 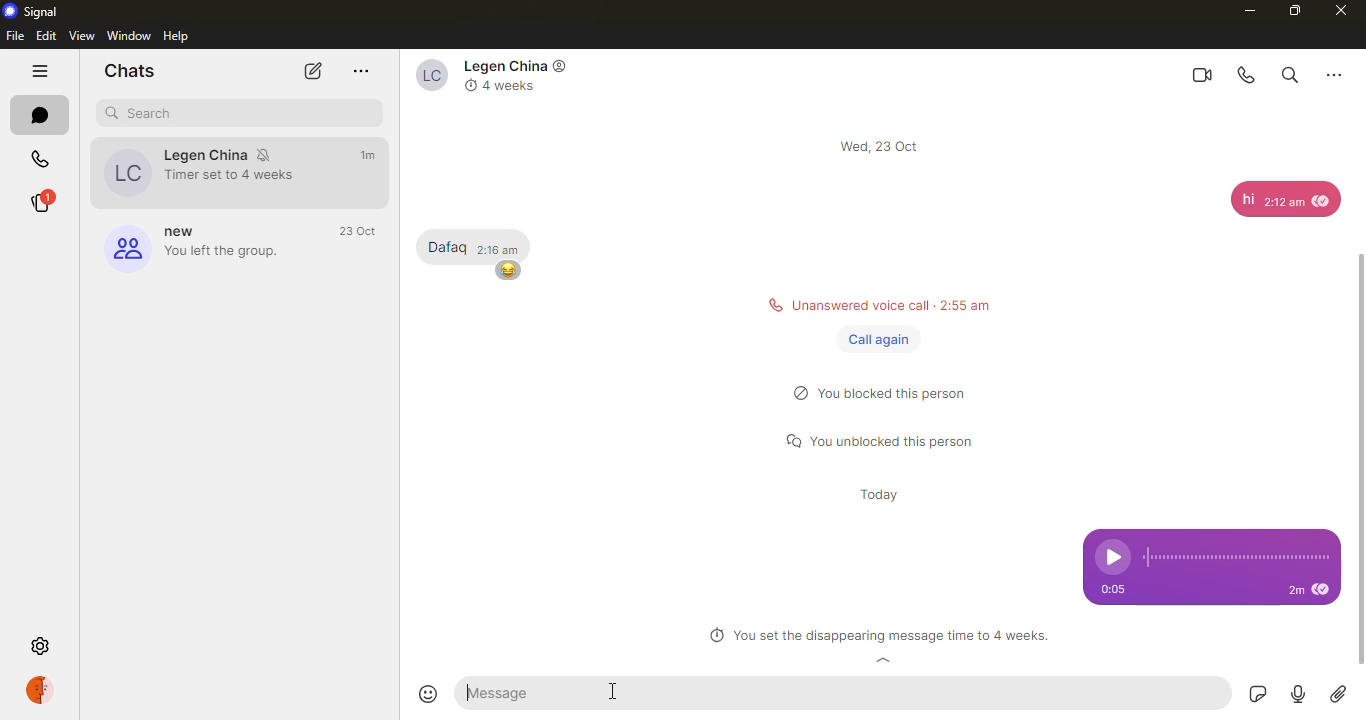 What do you see at coordinates (497, 76) in the screenshot?
I see `Legen China 4 weeks` at bounding box center [497, 76].